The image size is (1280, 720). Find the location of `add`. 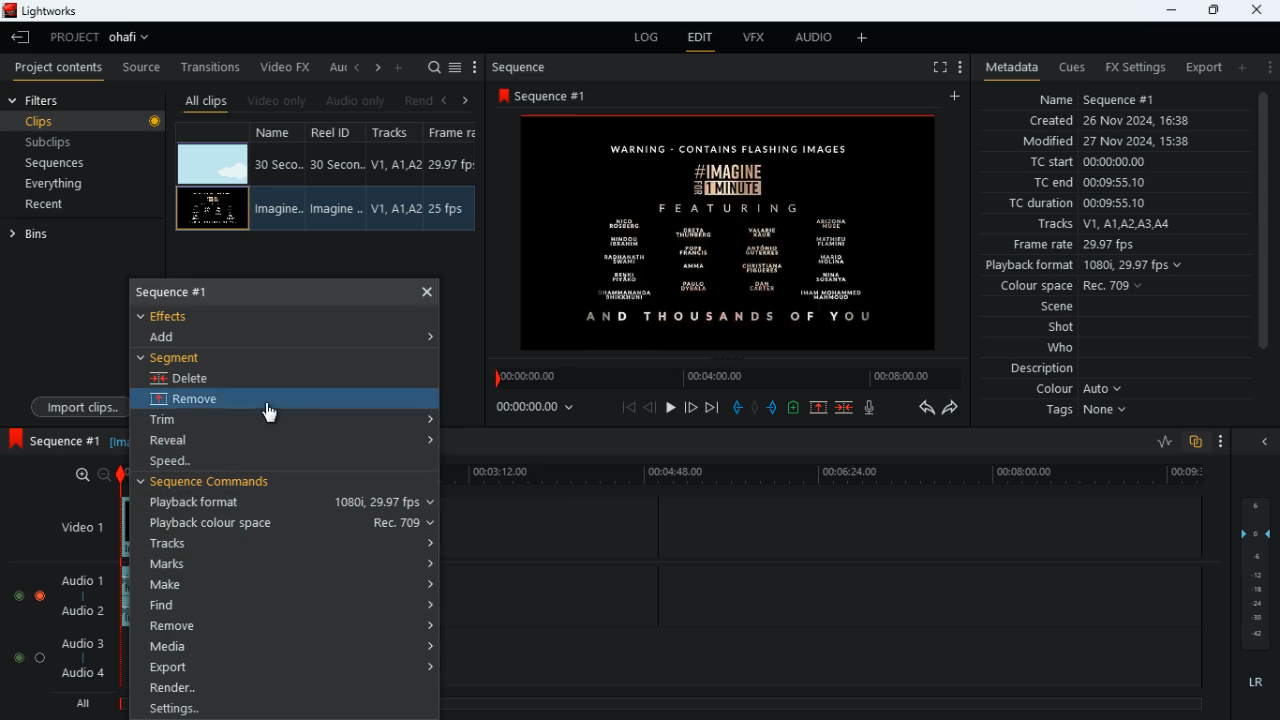

add is located at coordinates (290, 337).